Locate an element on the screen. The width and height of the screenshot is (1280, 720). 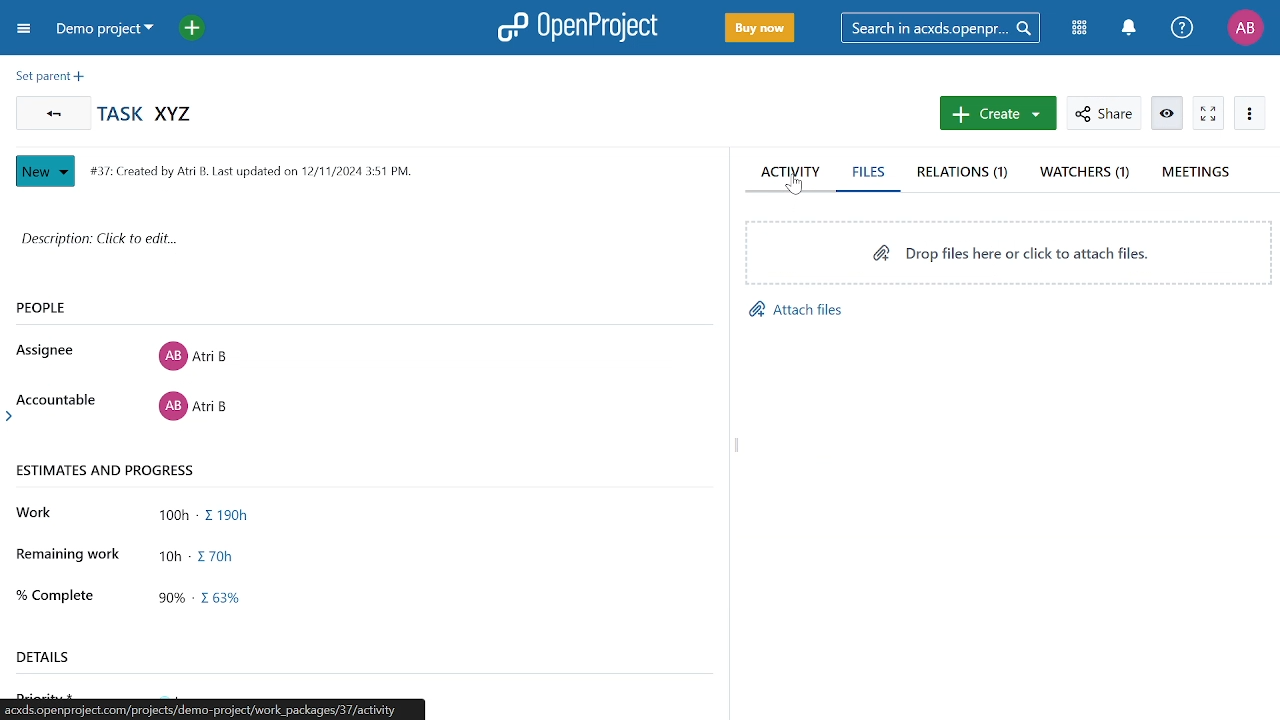
Percentage completed is located at coordinates (415, 600).